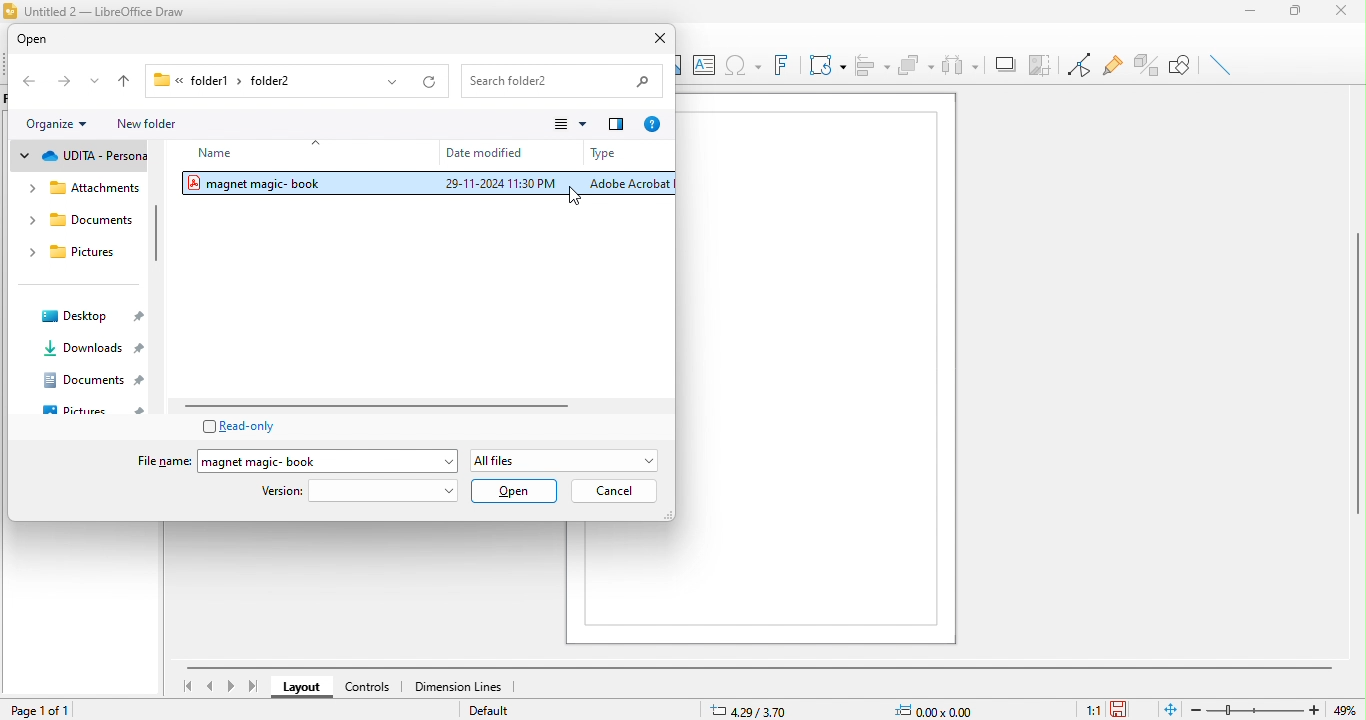 Image resolution: width=1366 pixels, height=720 pixels. What do you see at coordinates (585, 198) in the screenshot?
I see `cursor movement` at bounding box center [585, 198].